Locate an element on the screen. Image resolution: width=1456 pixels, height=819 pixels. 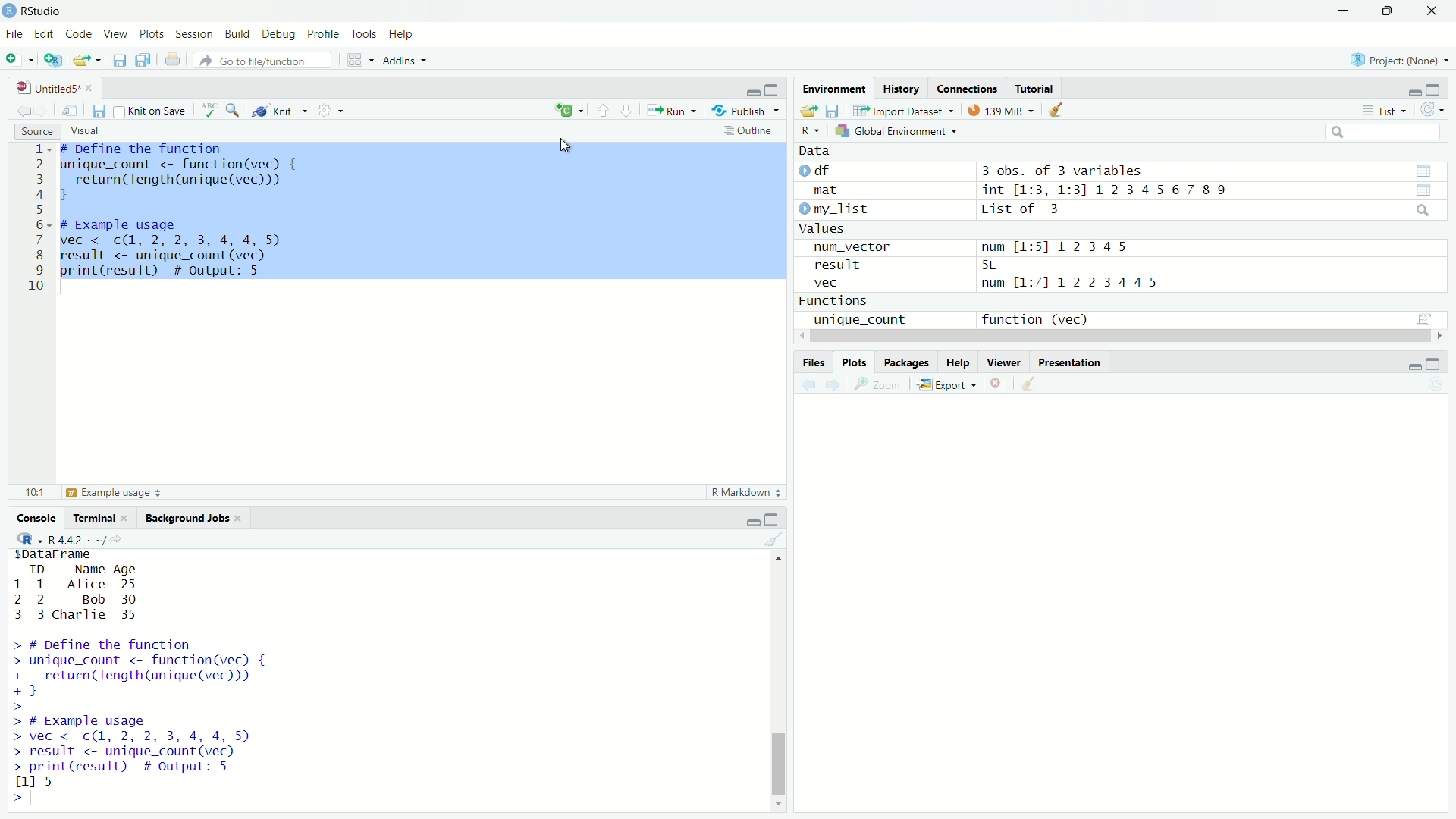
minimize is located at coordinates (750, 92).